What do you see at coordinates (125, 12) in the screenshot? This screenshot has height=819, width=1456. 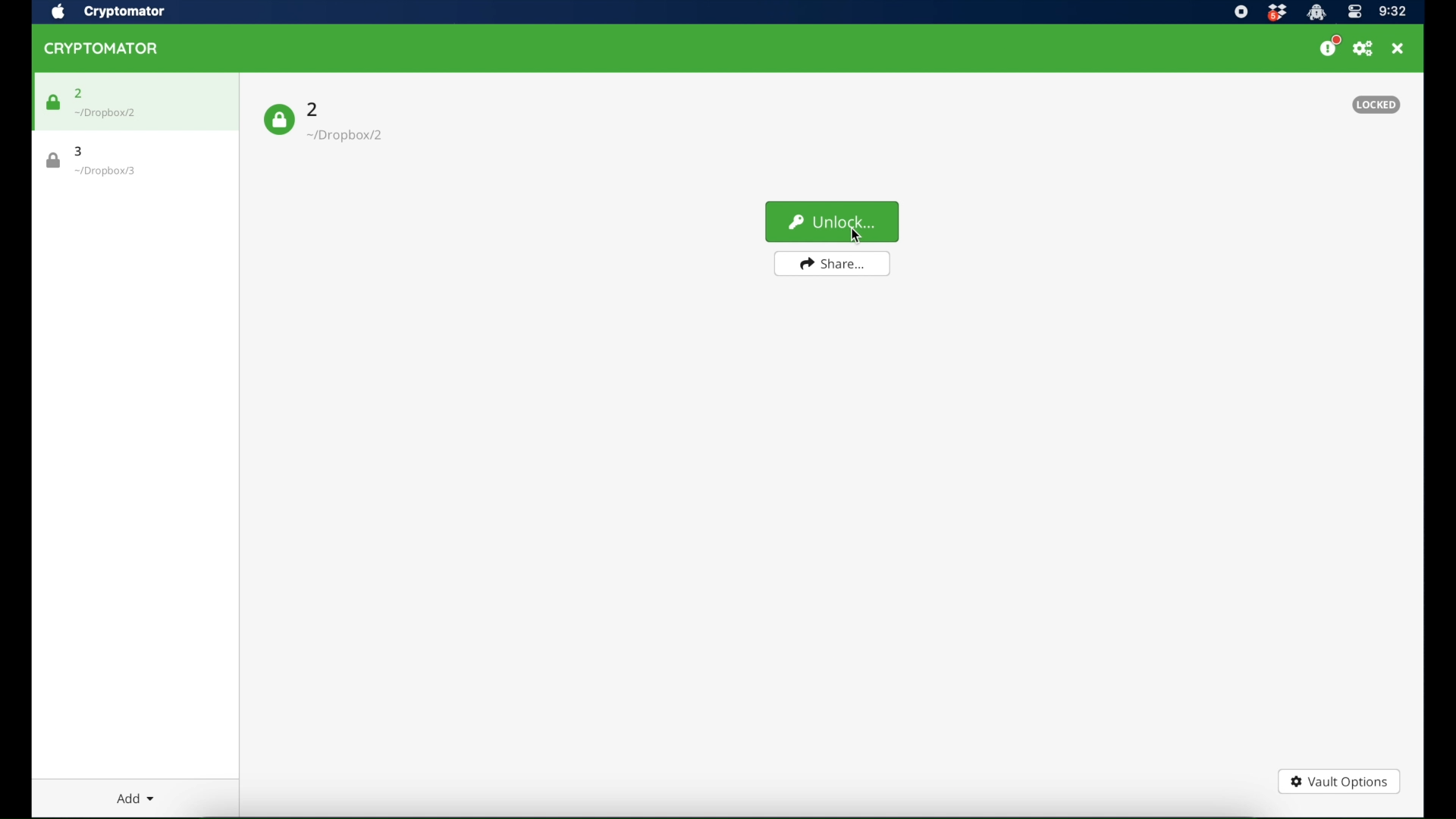 I see `cryptomator` at bounding box center [125, 12].